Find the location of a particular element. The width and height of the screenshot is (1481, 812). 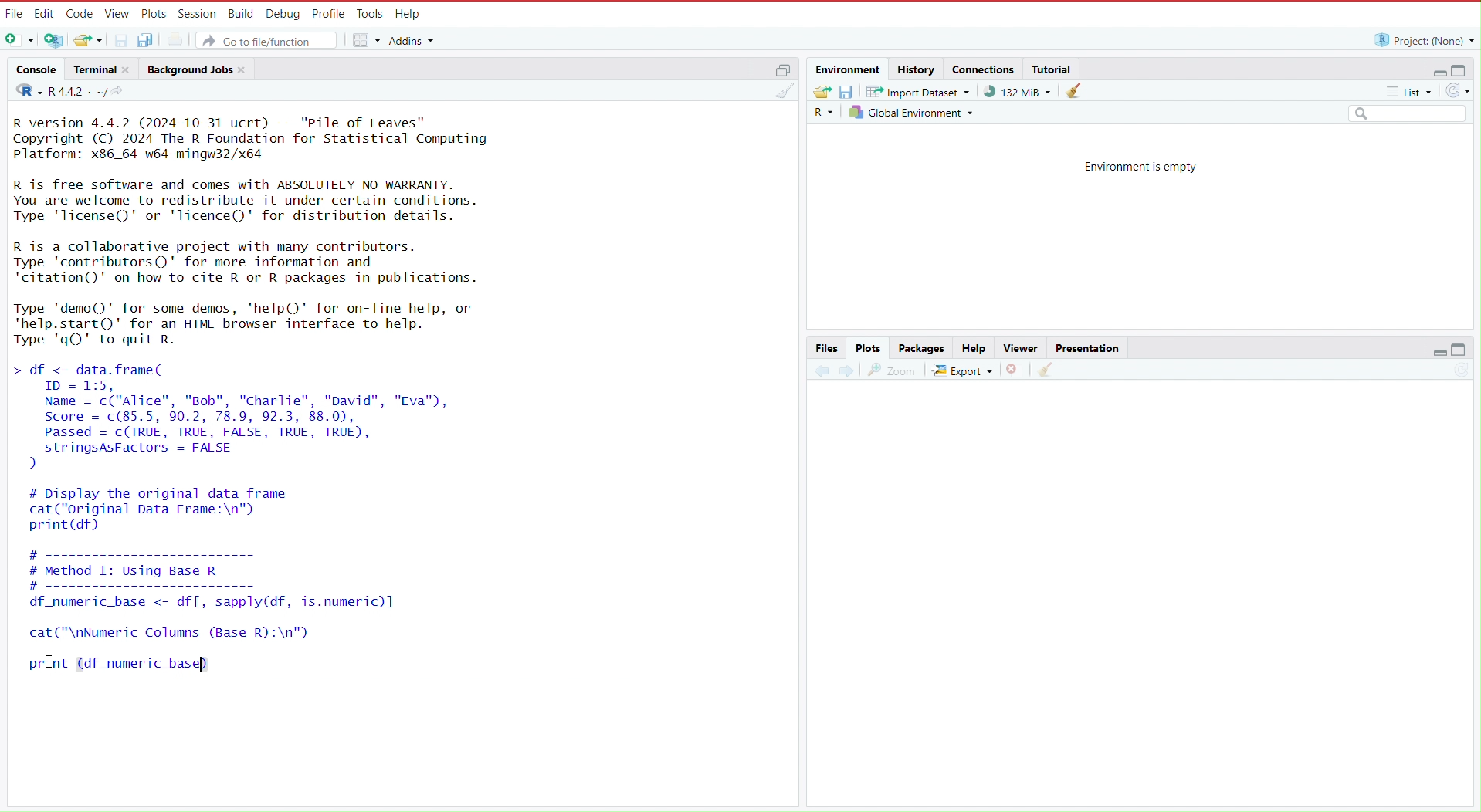

Plots is located at coordinates (866, 349).